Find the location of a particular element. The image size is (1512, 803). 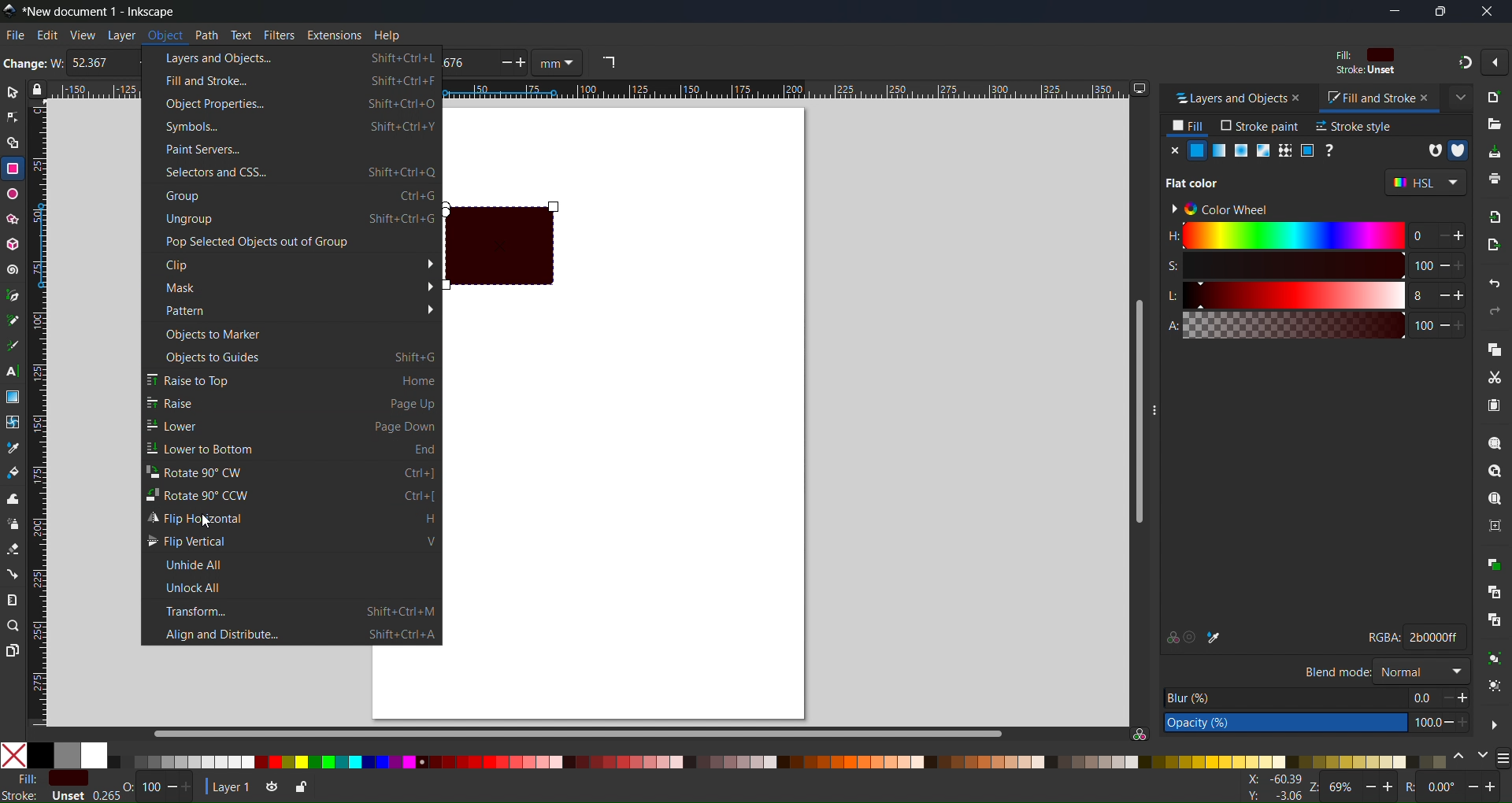

Paint Servers is located at coordinates (291, 150).